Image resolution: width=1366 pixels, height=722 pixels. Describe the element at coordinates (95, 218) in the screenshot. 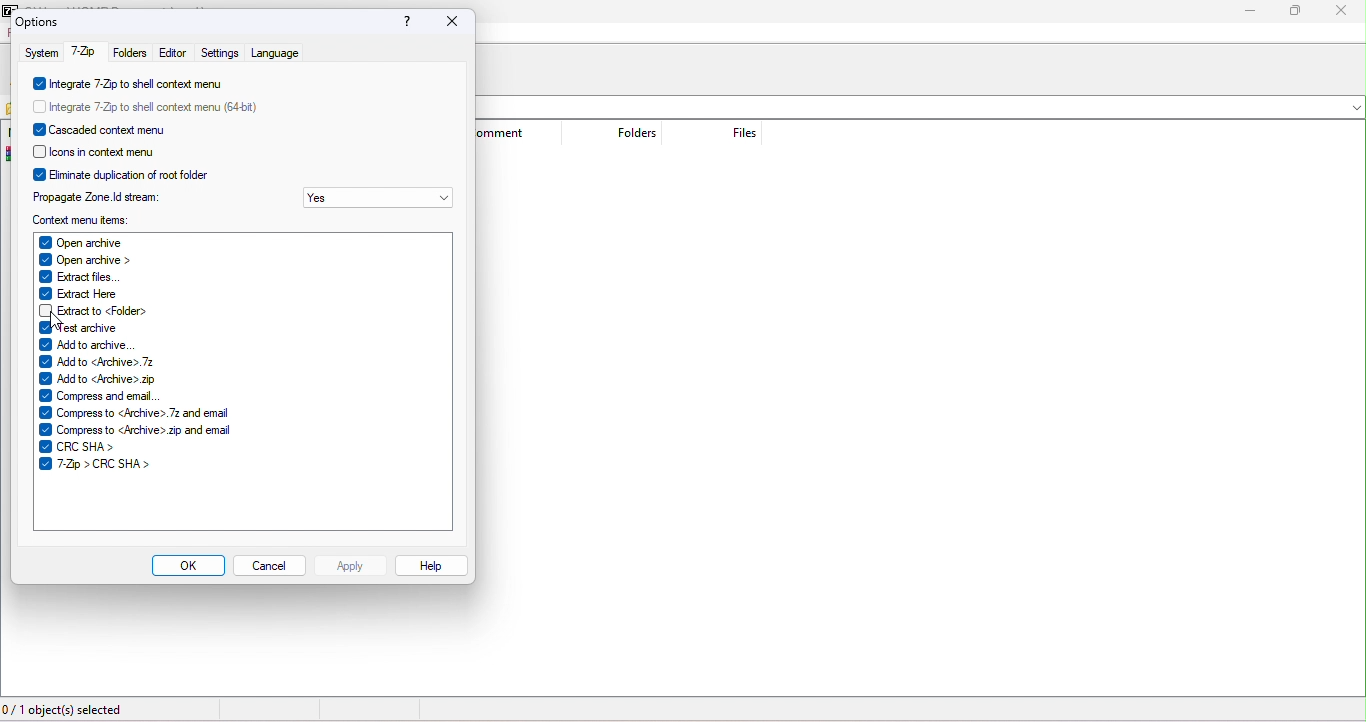

I see `context menu items` at that location.